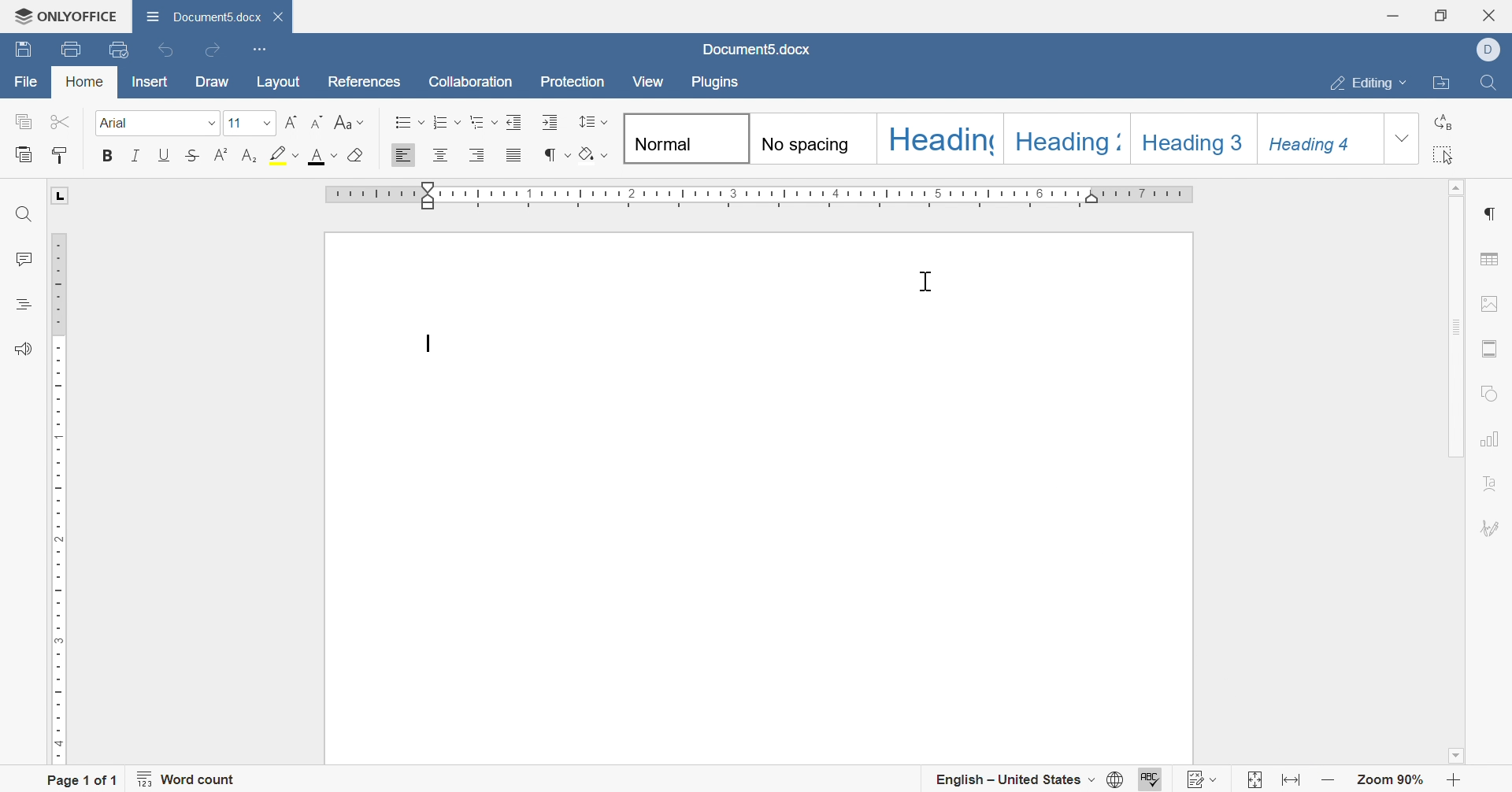  I want to click on numbering, so click(448, 124).